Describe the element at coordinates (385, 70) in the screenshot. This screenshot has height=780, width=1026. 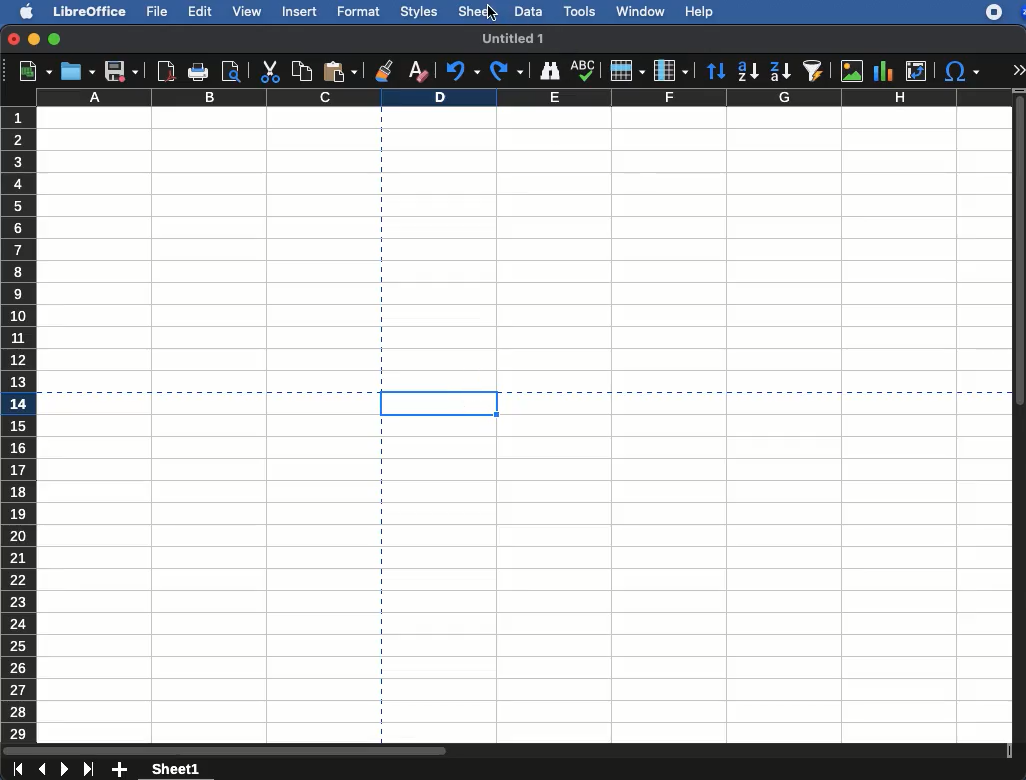
I see `clone formatting` at that location.